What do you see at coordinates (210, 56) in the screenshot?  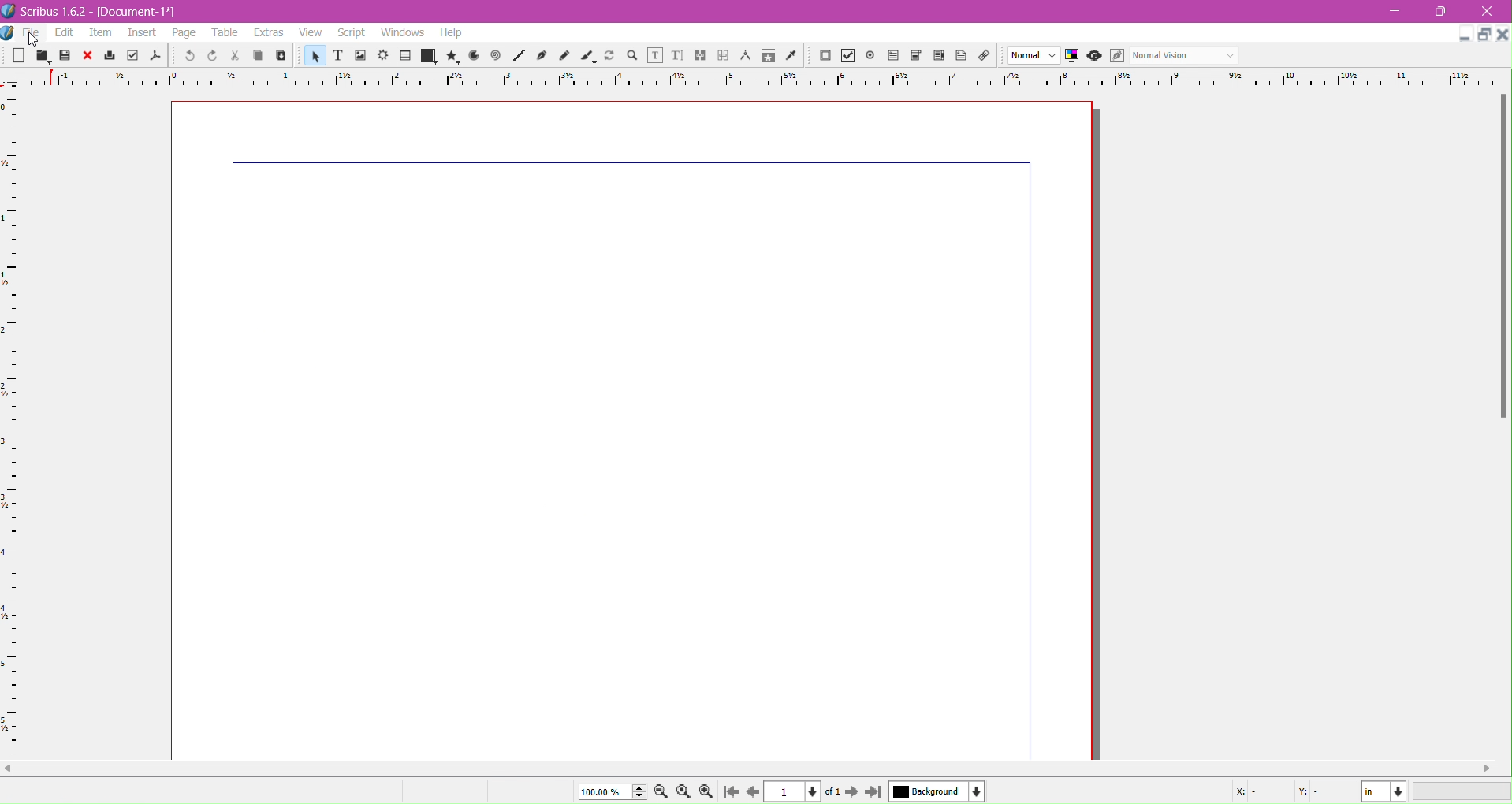 I see `redo` at bounding box center [210, 56].